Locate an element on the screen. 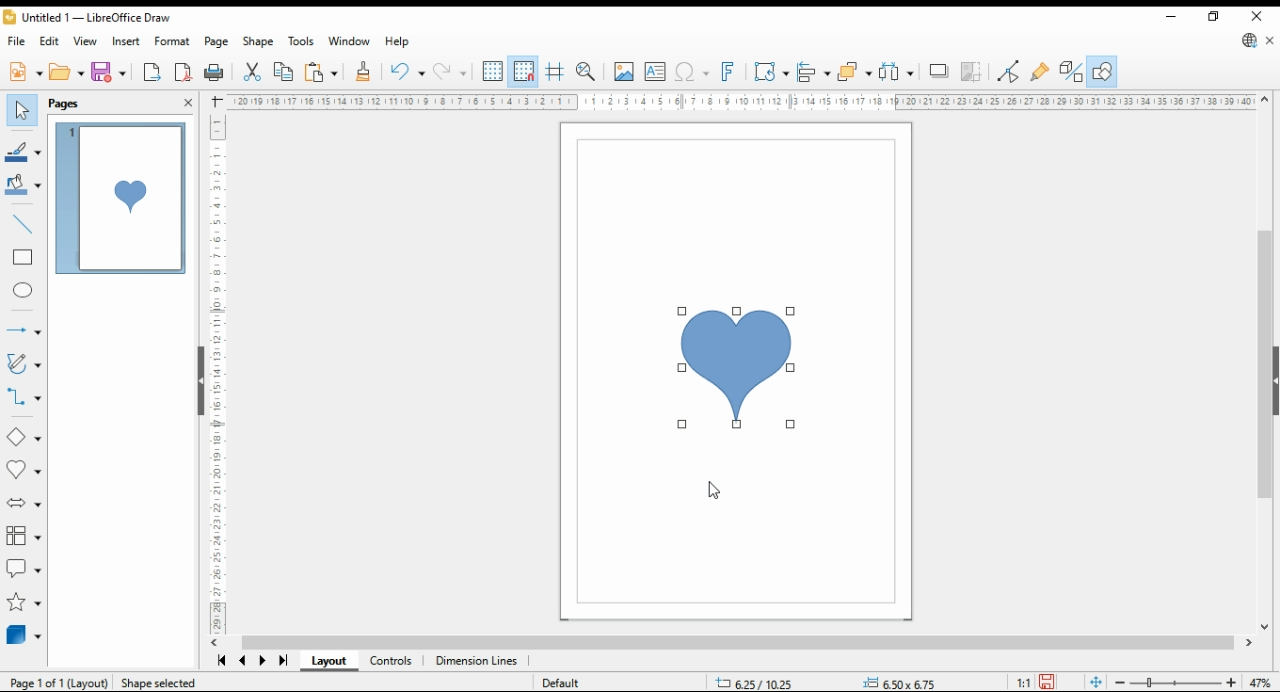 The image size is (1280, 692). Shape selected is located at coordinates (169, 682).